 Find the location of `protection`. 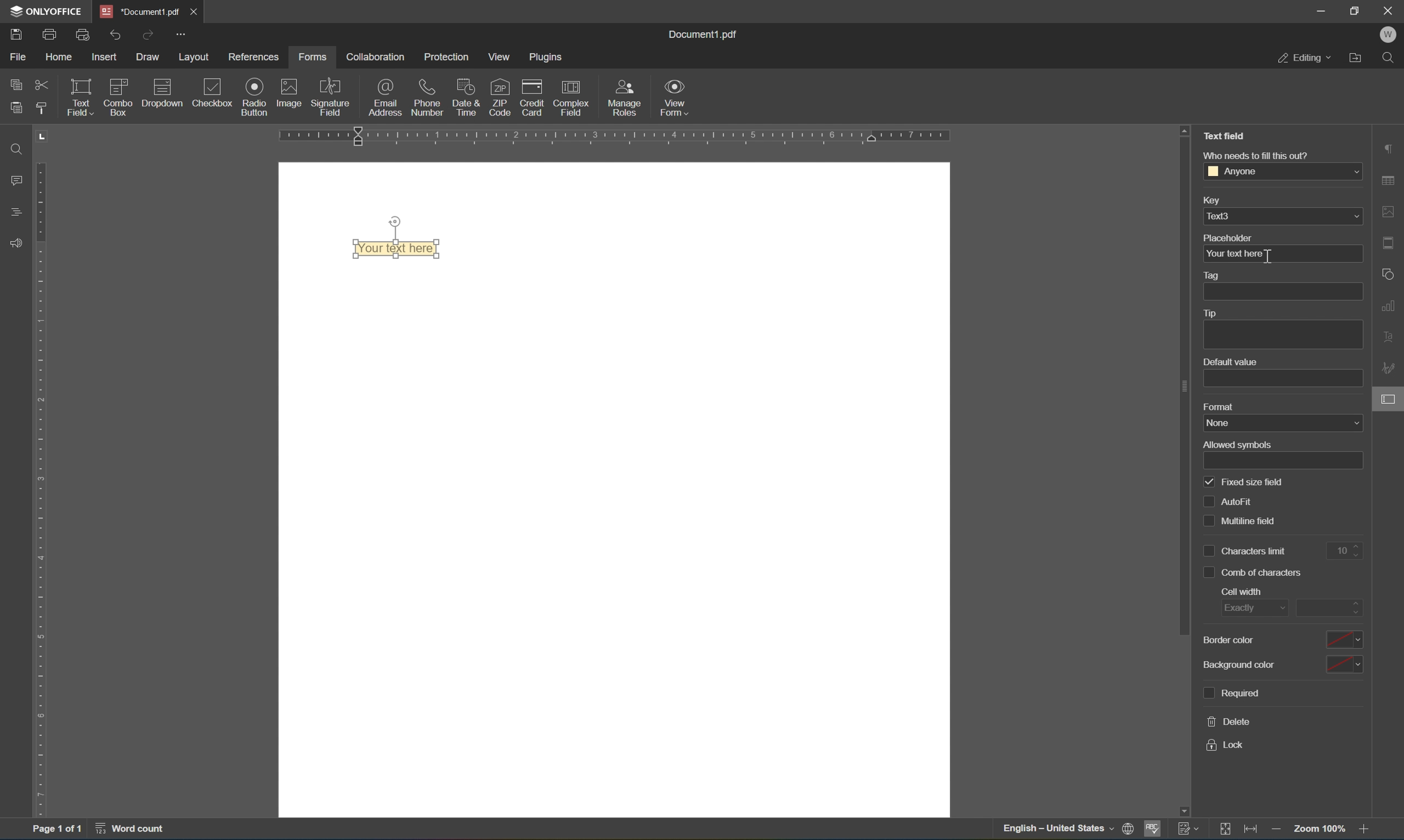

protection is located at coordinates (450, 57).